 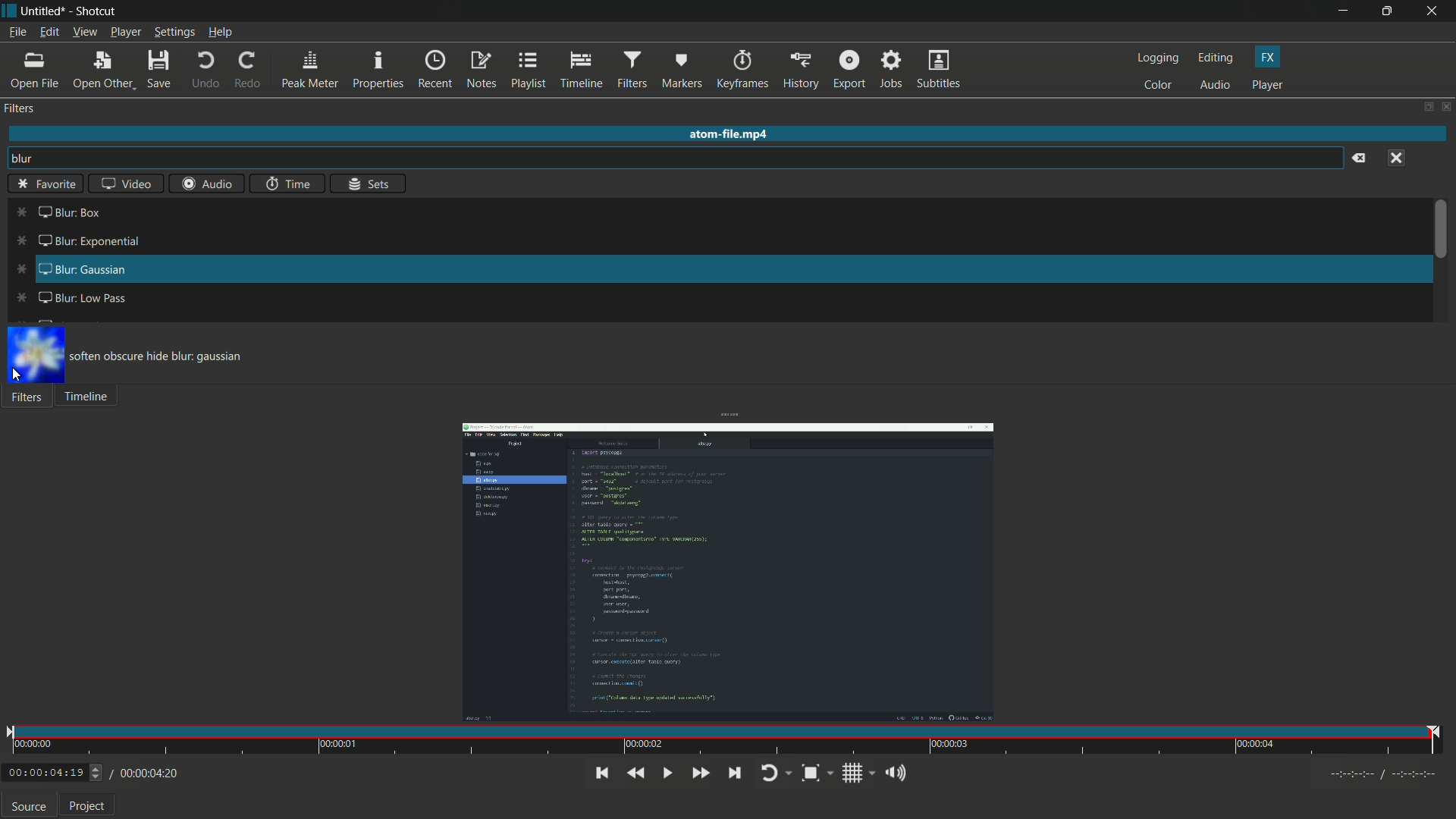 What do you see at coordinates (600, 773) in the screenshot?
I see `skip to the previous point` at bounding box center [600, 773].